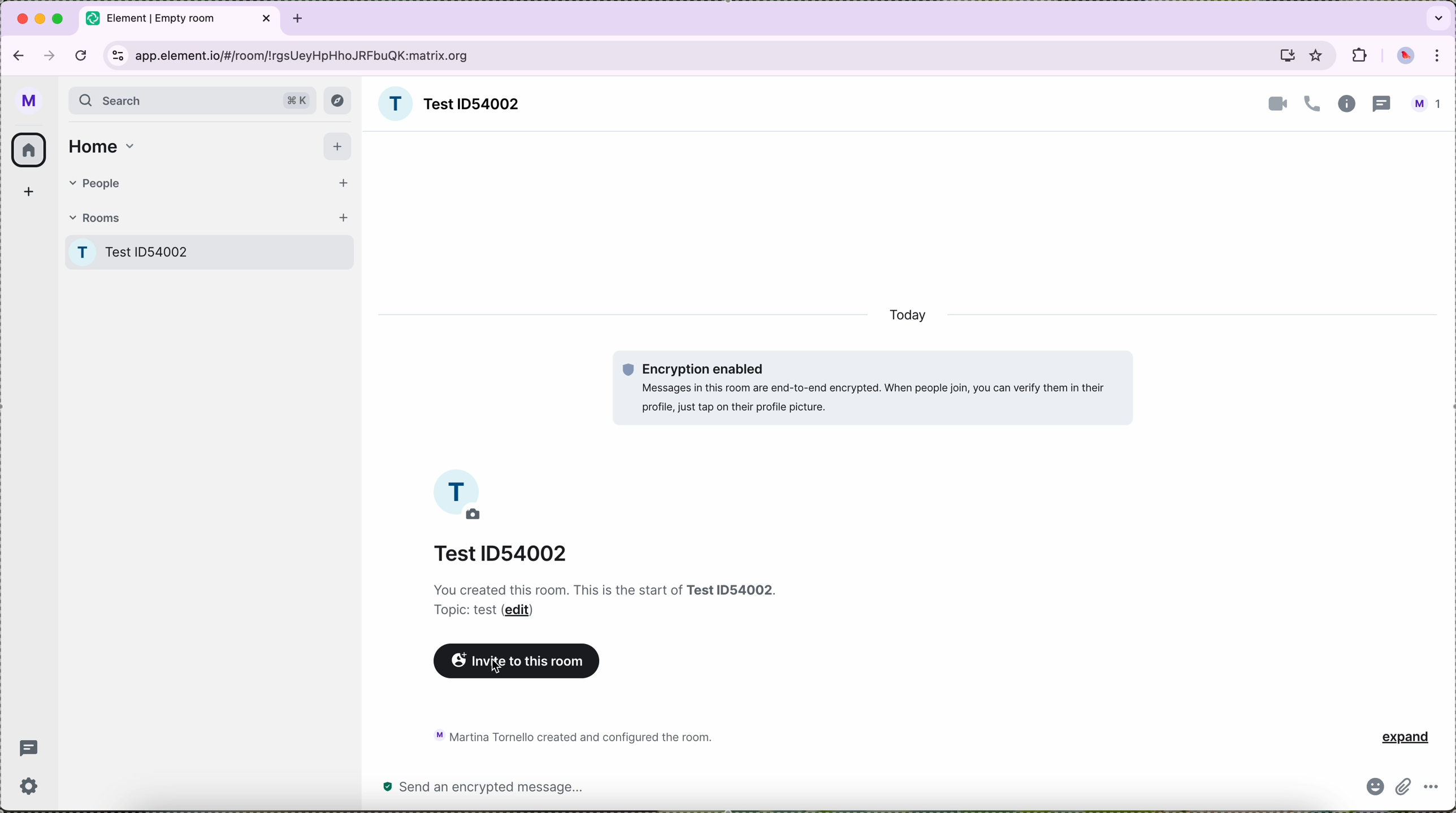  Describe the element at coordinates (100, 144) in the screenshot. I see `home tab` at that location.